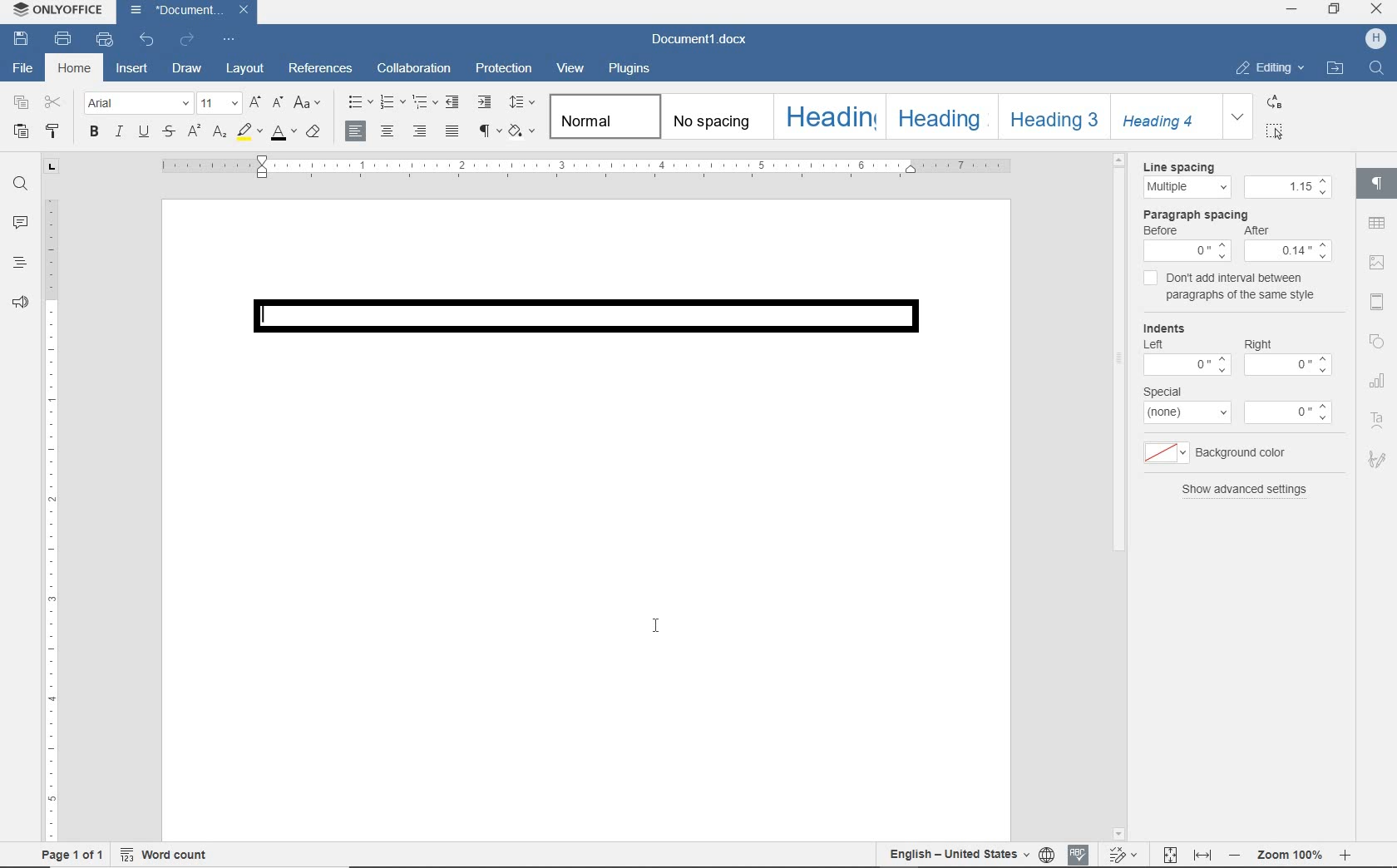 The height and width of the screenshot is (868, 1397). I want to click on English - United States(text language), so click(956, 856).